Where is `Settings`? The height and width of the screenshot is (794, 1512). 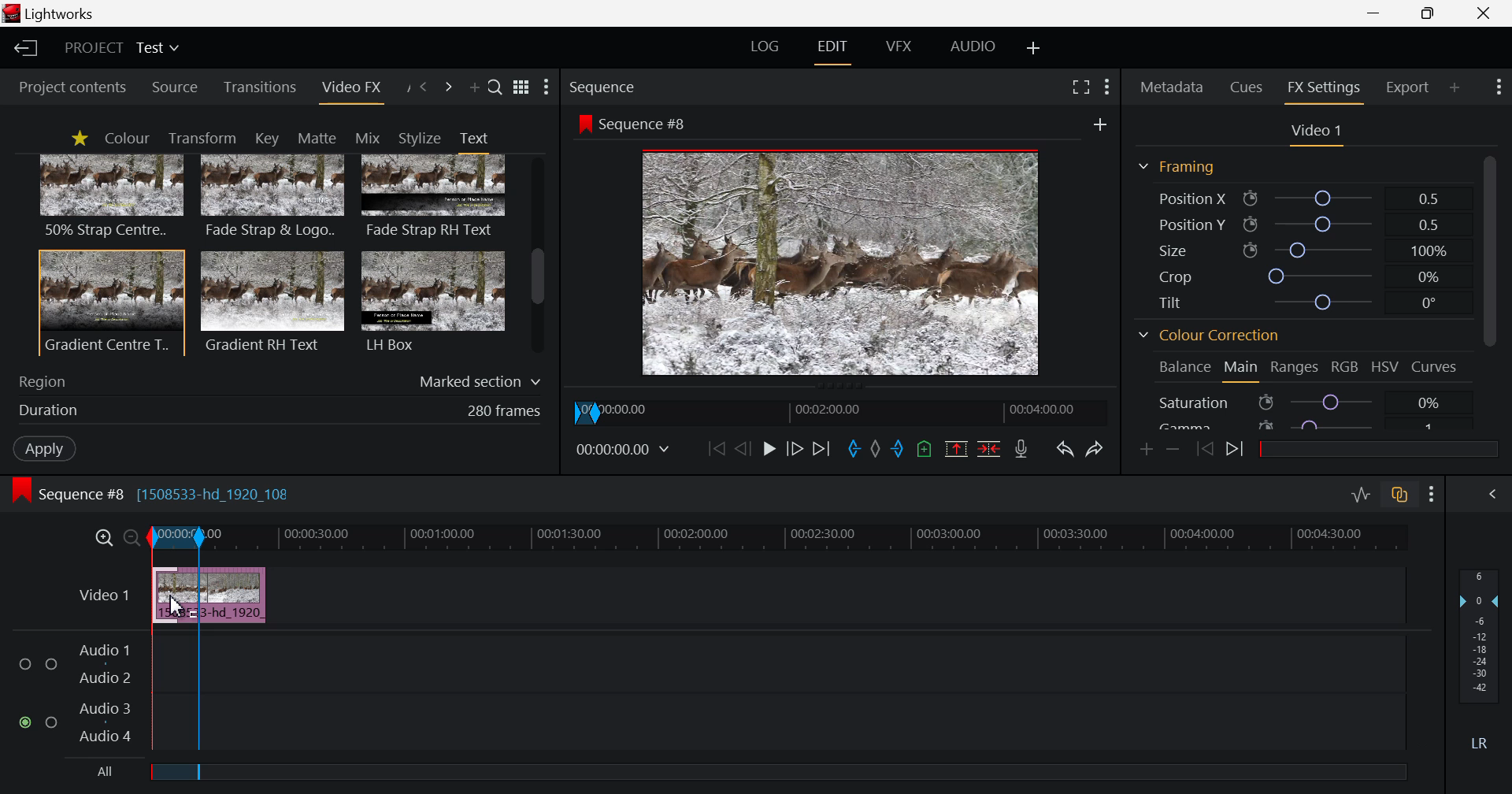 Settings is located at coordinates (1432, 495).